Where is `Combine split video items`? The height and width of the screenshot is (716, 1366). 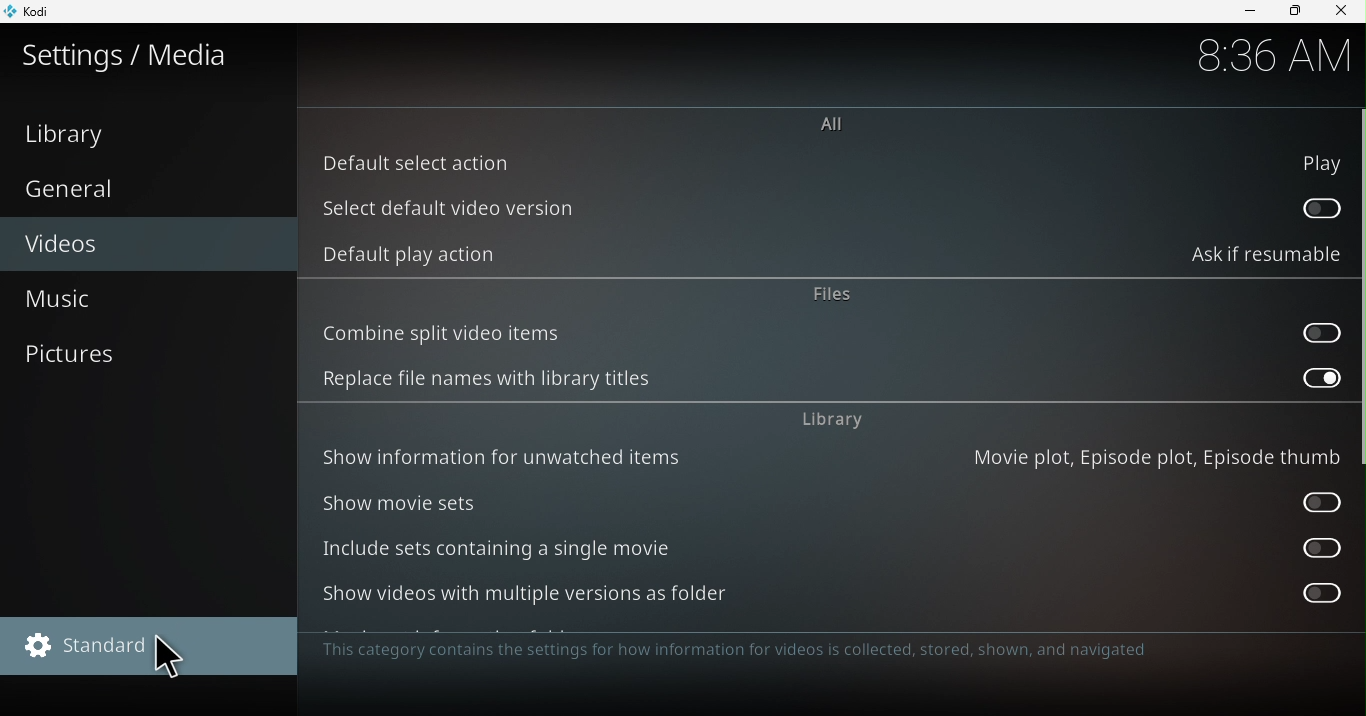
Combine split video items is located at coordinates (828, 331).